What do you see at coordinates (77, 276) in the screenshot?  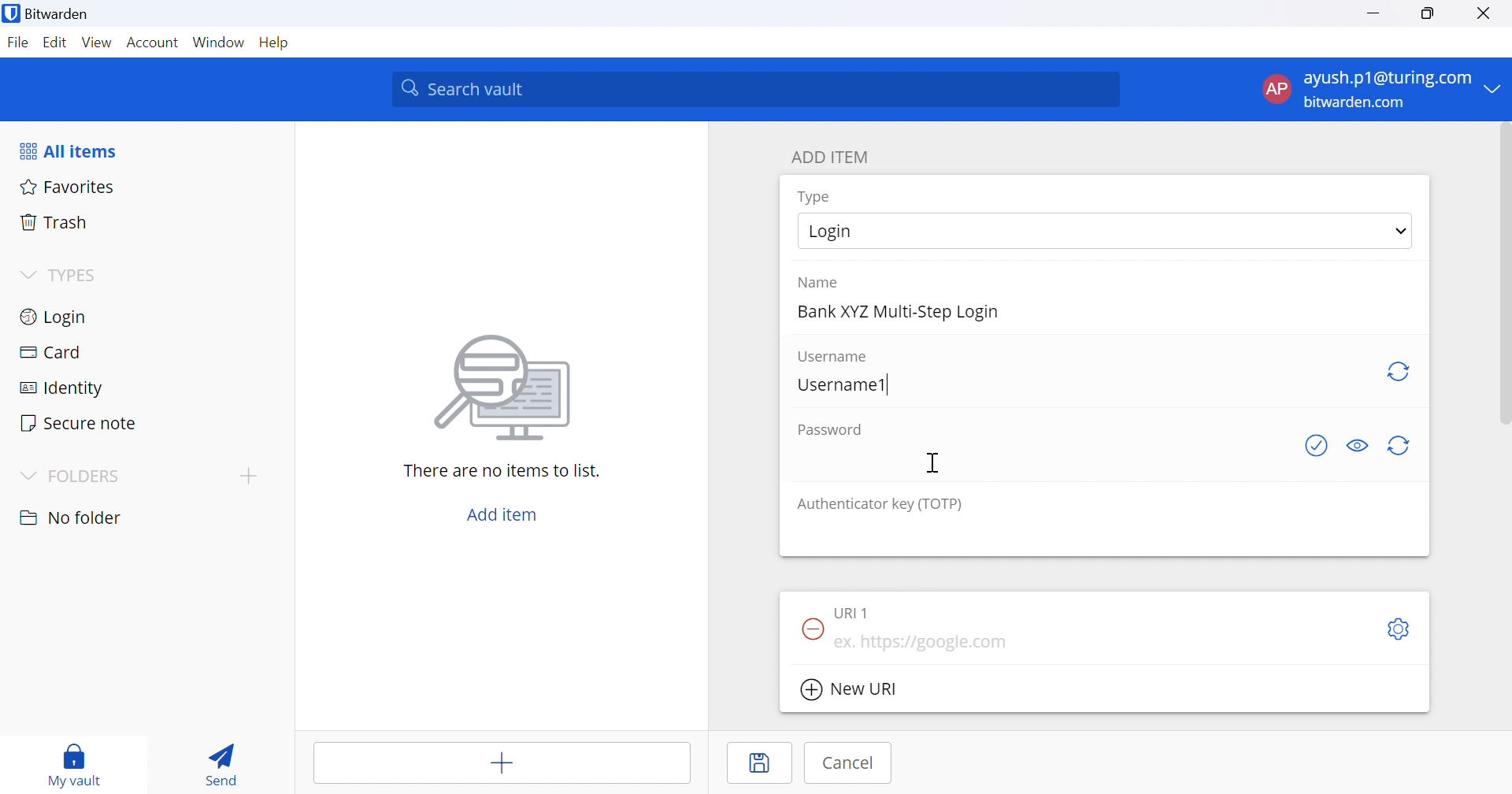 I see `TYPES` at bounding box center [77, 276].